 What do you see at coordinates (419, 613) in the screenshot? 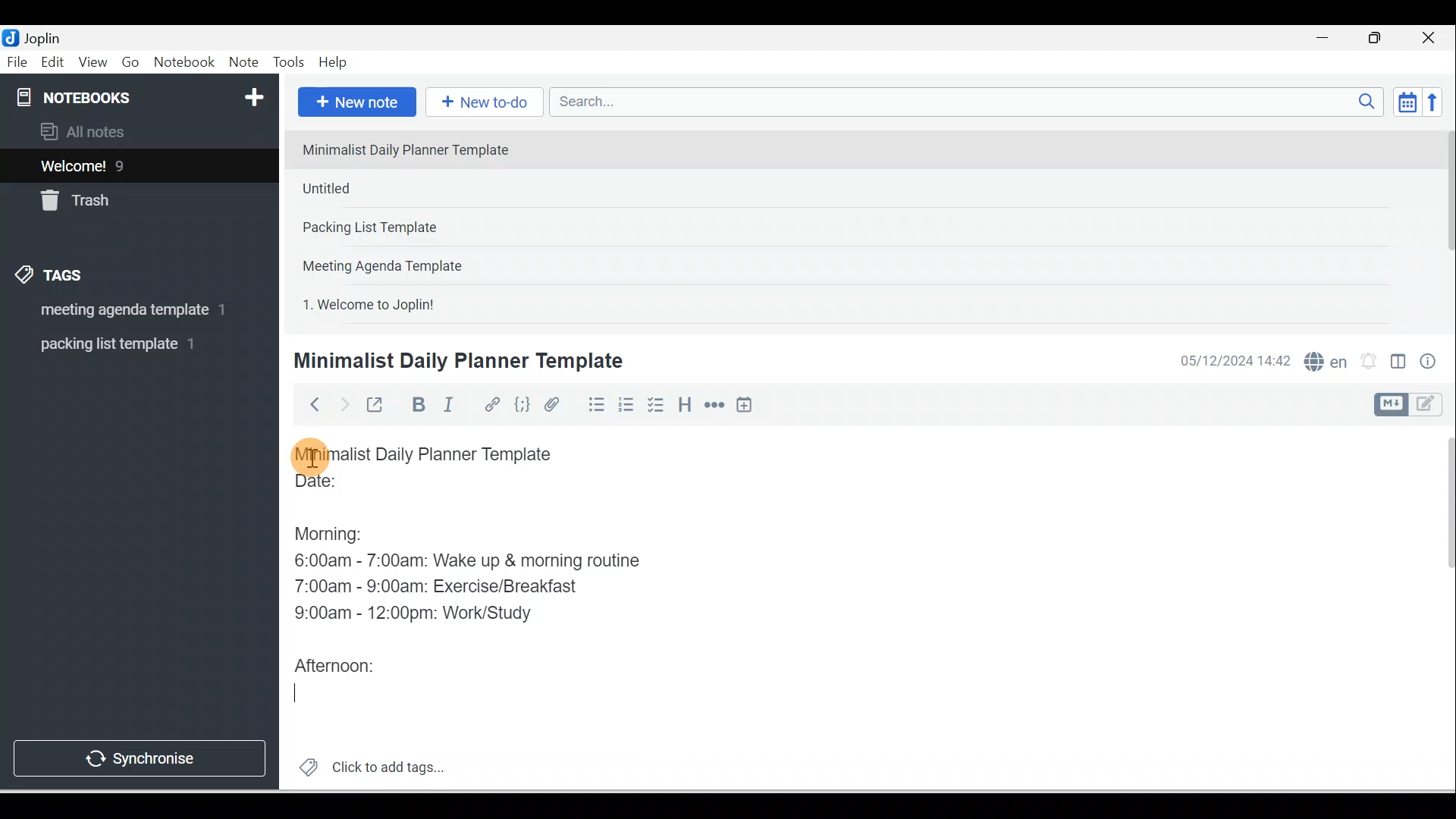
I see `9:00am - 12:00pm: Work/Study` at bounding box center [419, 613].